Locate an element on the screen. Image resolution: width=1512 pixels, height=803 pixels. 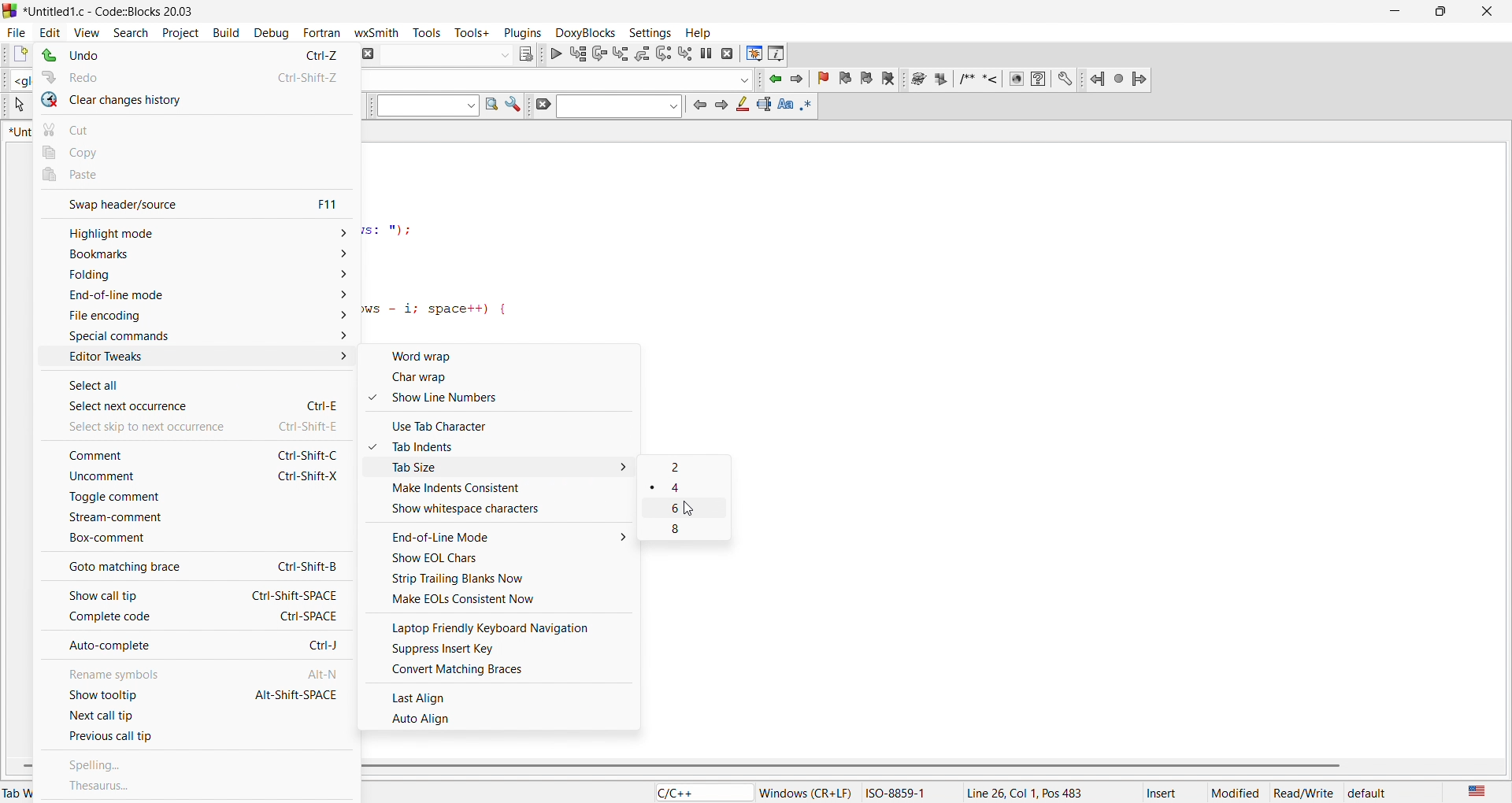
laptop friendly keyboard nav is located at coordinates (506, 626).